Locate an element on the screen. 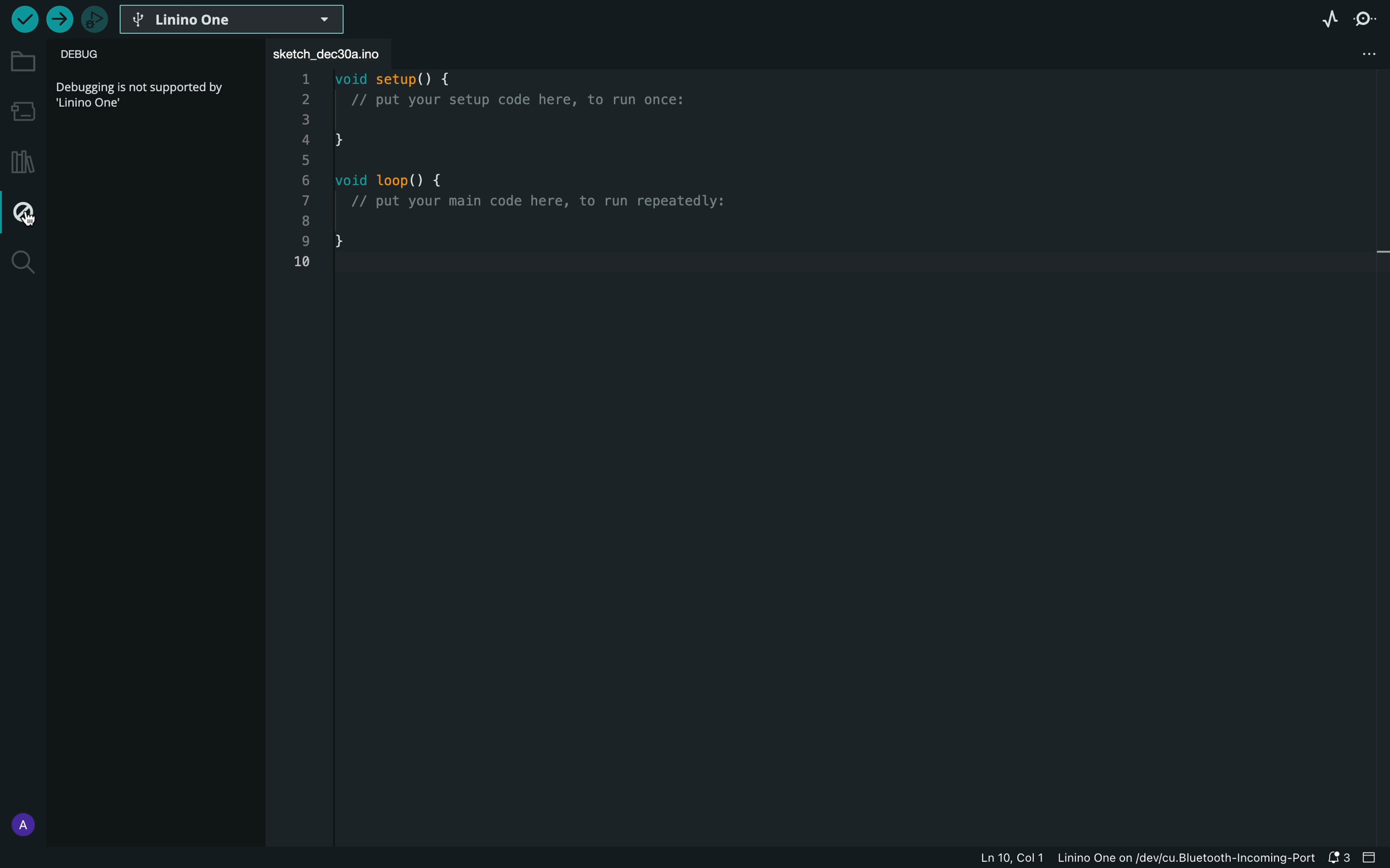  upload is located at coordinates (61, 18).